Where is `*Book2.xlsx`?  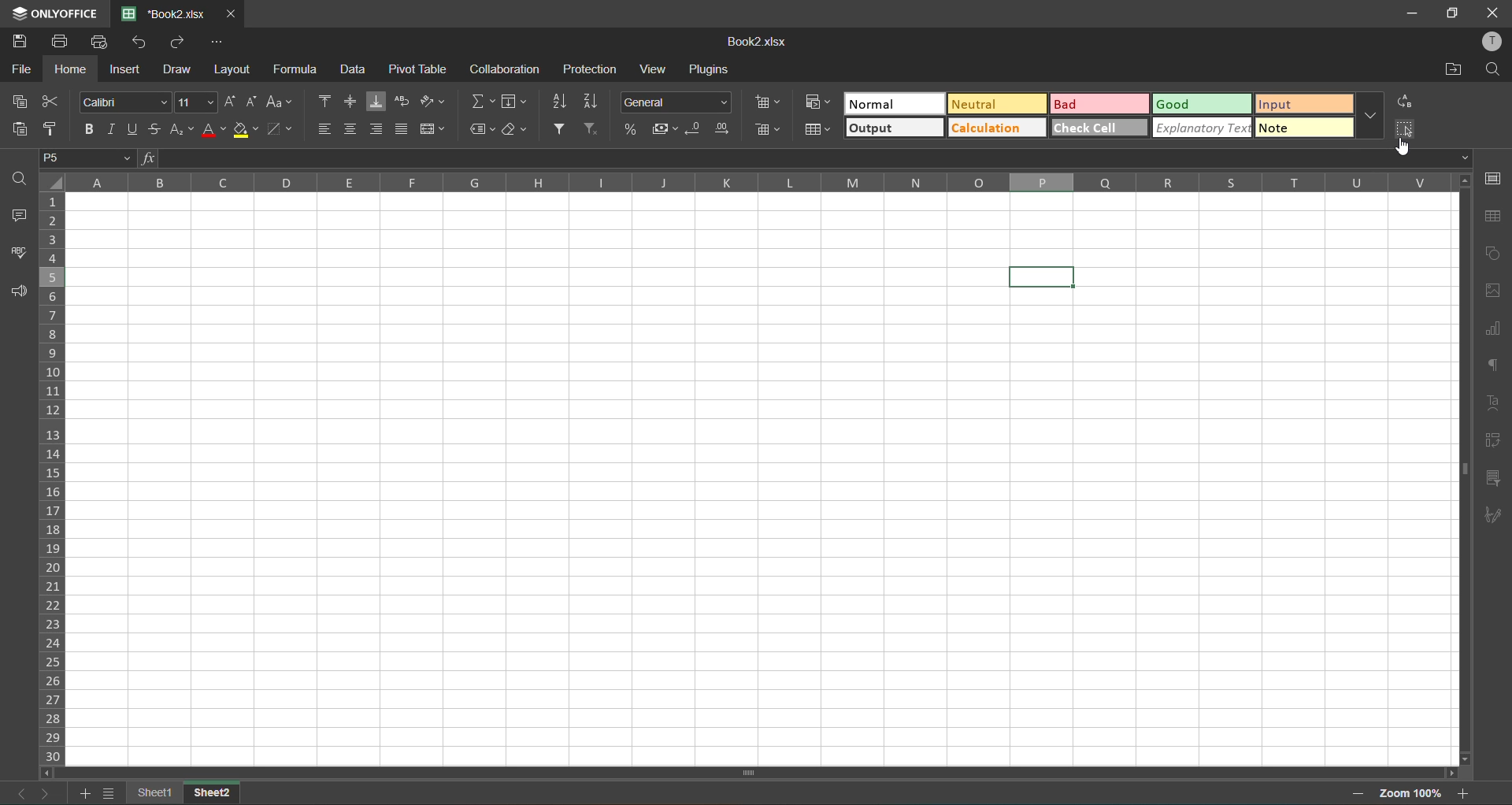
*Book2.xlsx is located at coordinates (169, 14).